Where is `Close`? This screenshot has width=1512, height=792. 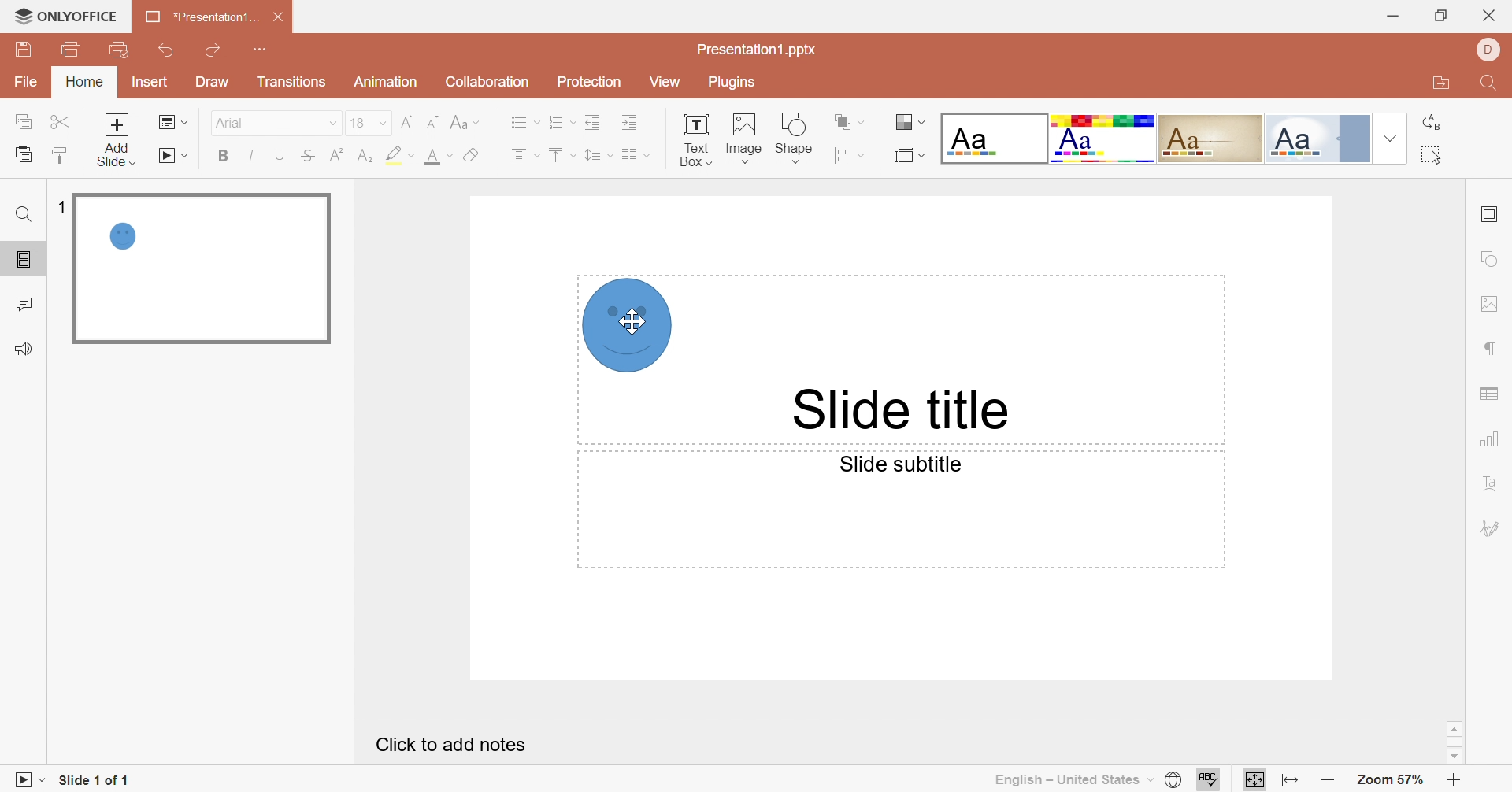
Close is located at coordinates (1491, 15).